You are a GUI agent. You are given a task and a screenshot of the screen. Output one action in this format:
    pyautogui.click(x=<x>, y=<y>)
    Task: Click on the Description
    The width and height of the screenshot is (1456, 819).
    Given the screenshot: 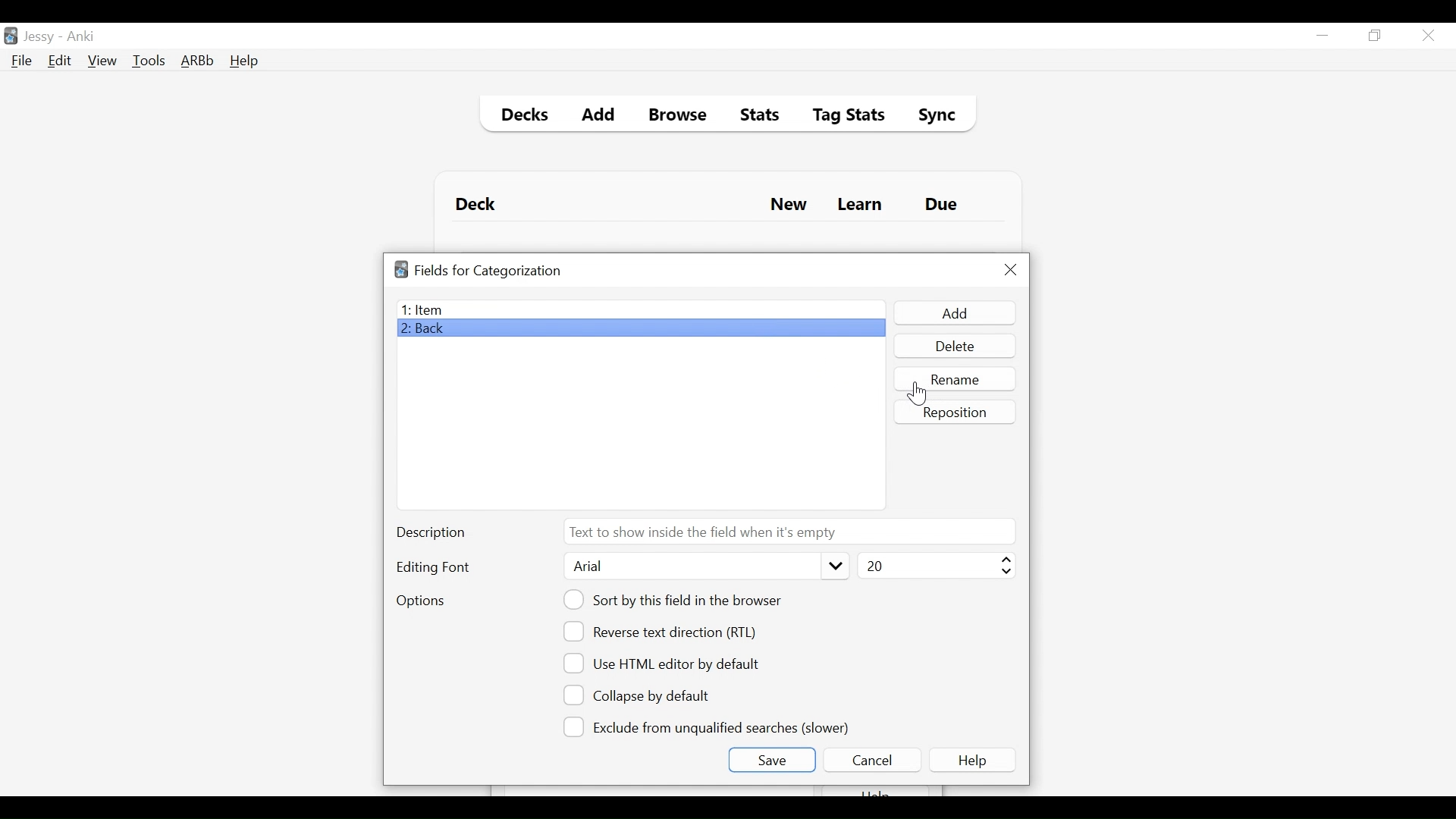 What is the action you would take?
    pyautogui.click(x=435, y=534)
    